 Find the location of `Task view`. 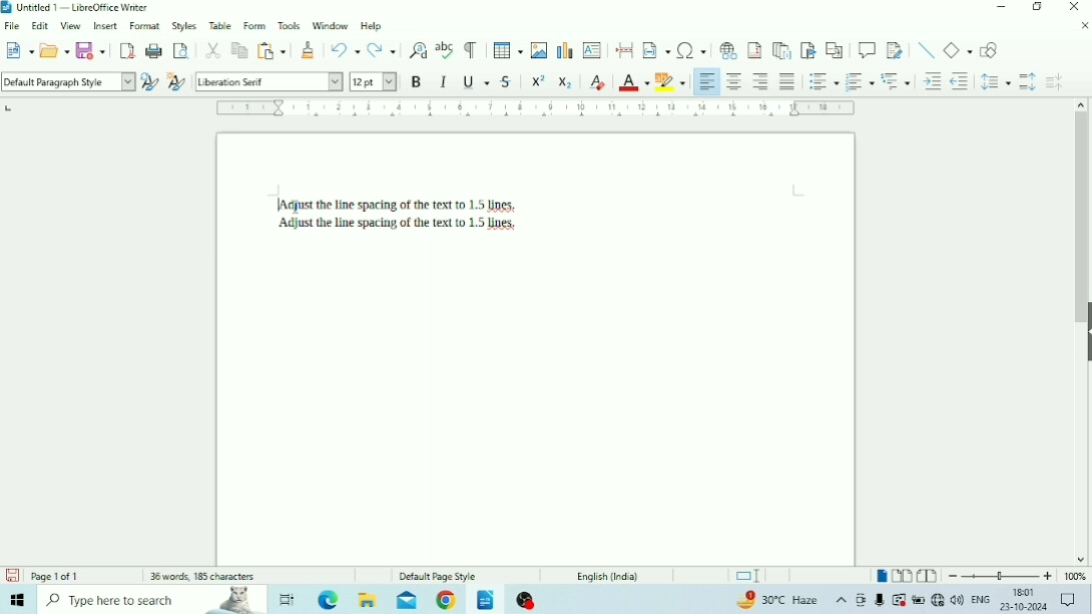

Task view is located at coordinates (287, 599).